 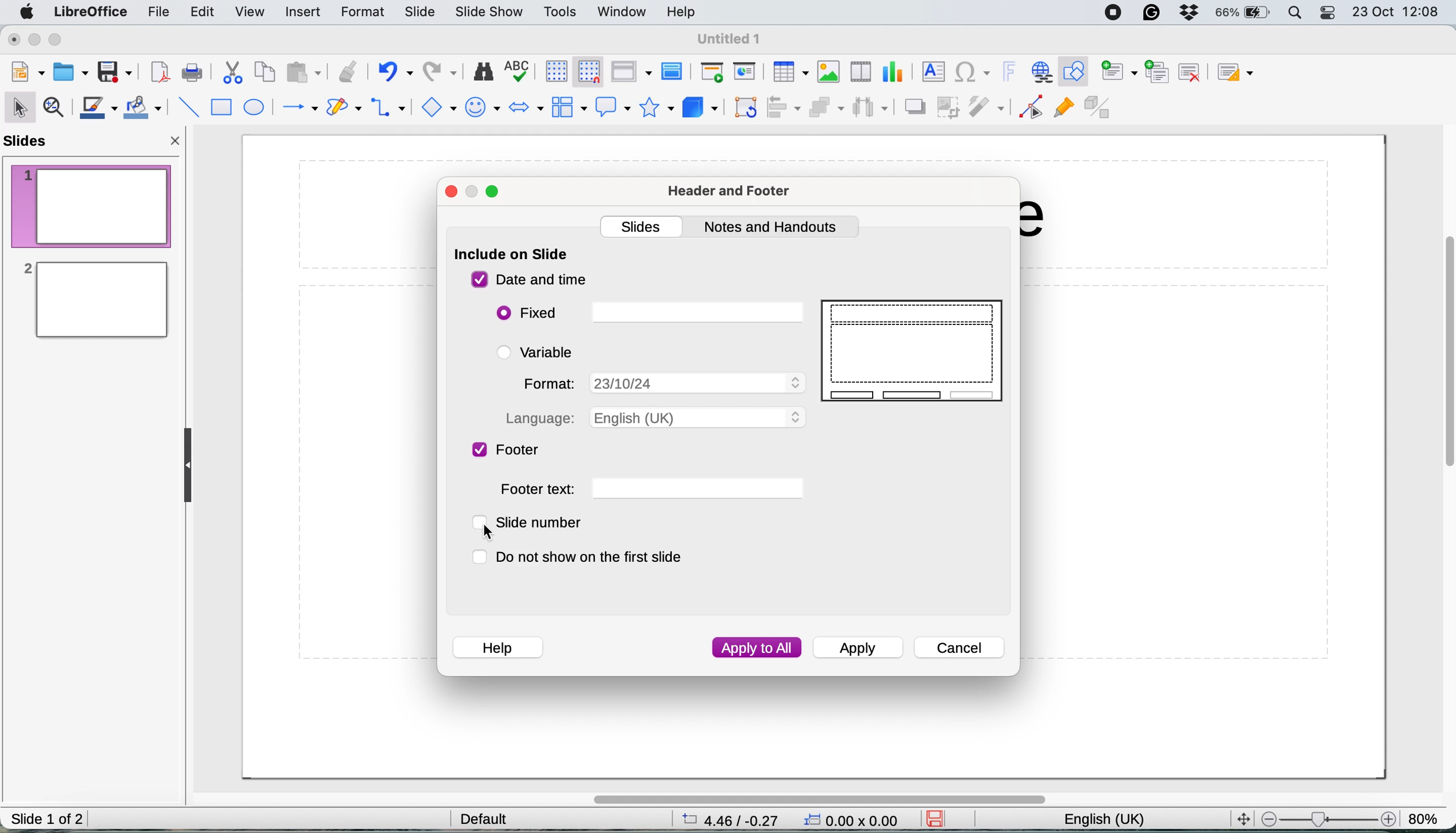 I want to click on insert audio video, so click(x=864, y=70).